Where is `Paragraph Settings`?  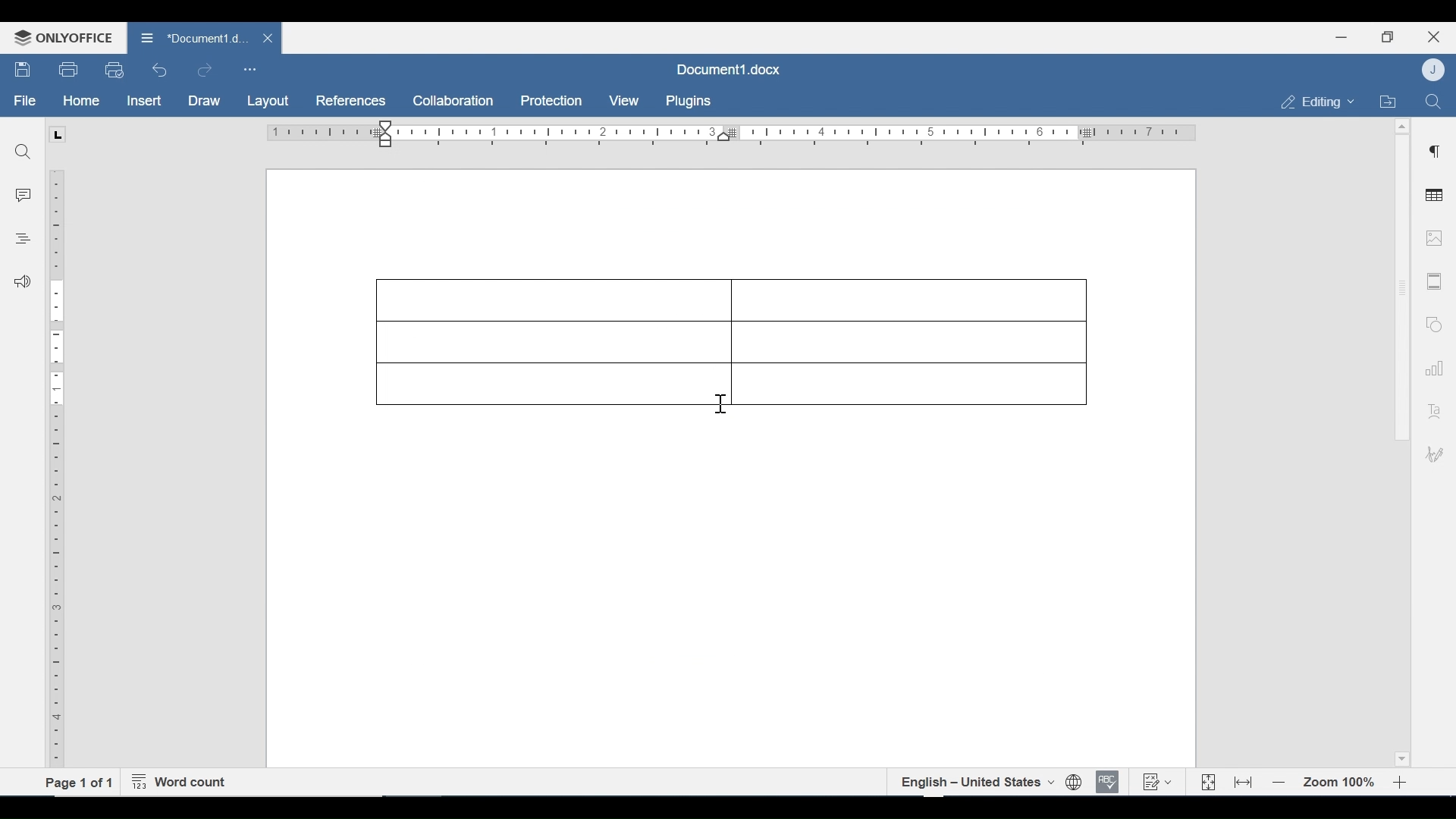
Paragraph Settings is located at coordinates (1435, 149).